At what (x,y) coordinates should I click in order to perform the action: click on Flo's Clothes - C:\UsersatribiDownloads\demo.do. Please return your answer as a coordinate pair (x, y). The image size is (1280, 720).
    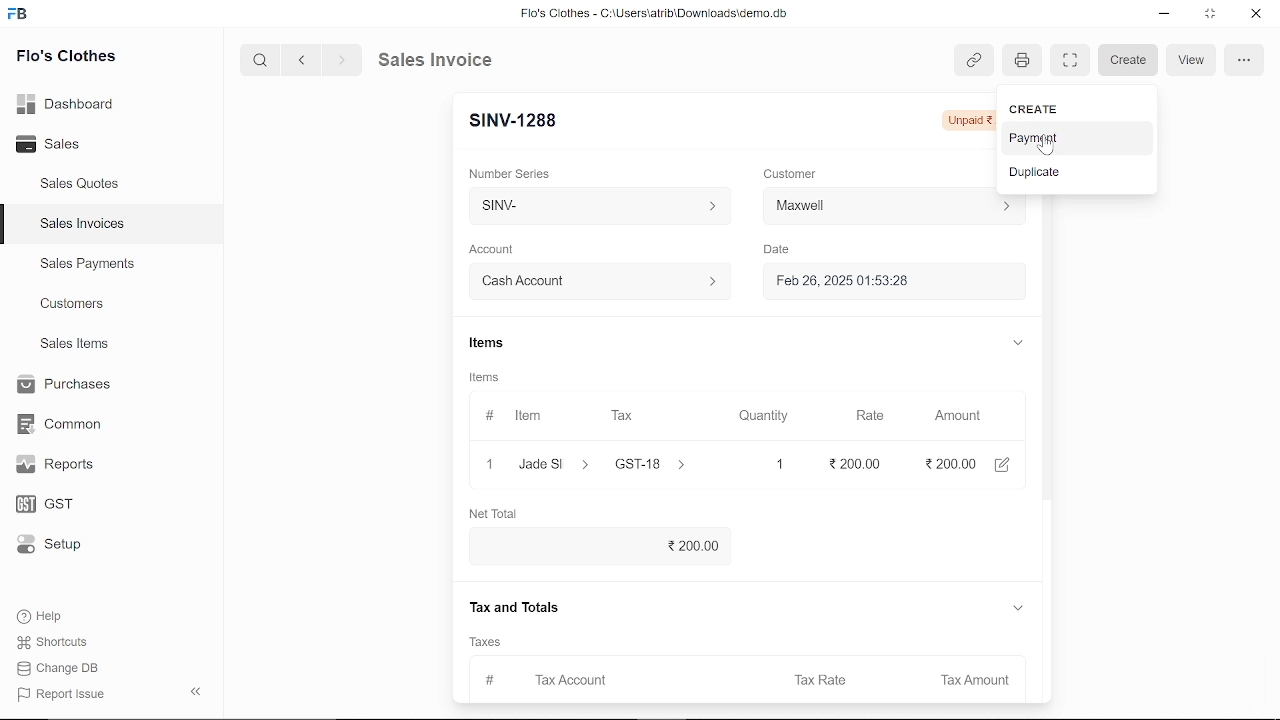
    Looking at the image, I should click on (662, 15).